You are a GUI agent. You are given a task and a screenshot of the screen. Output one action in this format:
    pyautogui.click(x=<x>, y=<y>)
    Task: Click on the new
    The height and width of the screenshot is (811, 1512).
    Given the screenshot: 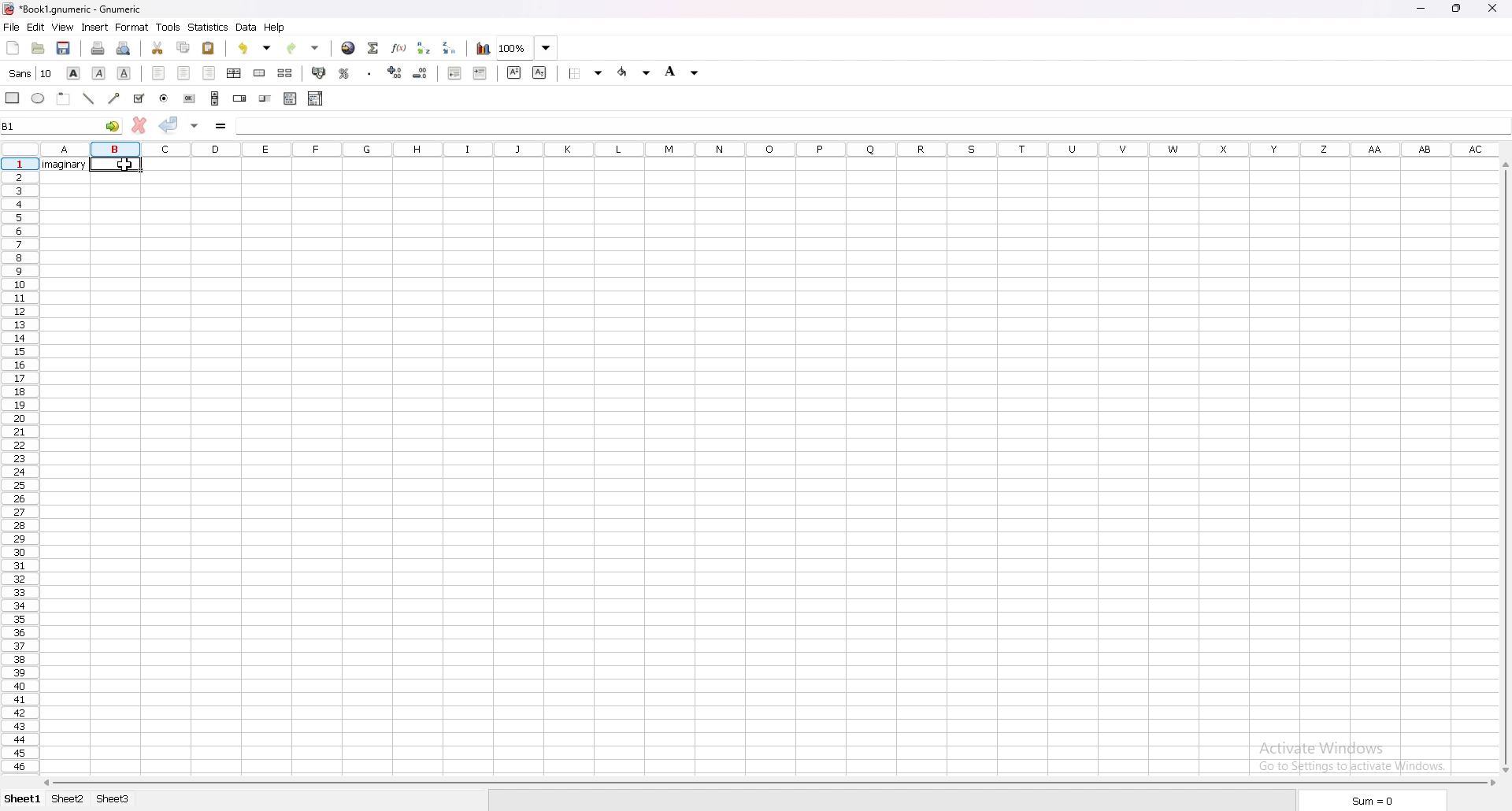 What is the action you would take?
    pyautogui.click(x=13, y=48)
    